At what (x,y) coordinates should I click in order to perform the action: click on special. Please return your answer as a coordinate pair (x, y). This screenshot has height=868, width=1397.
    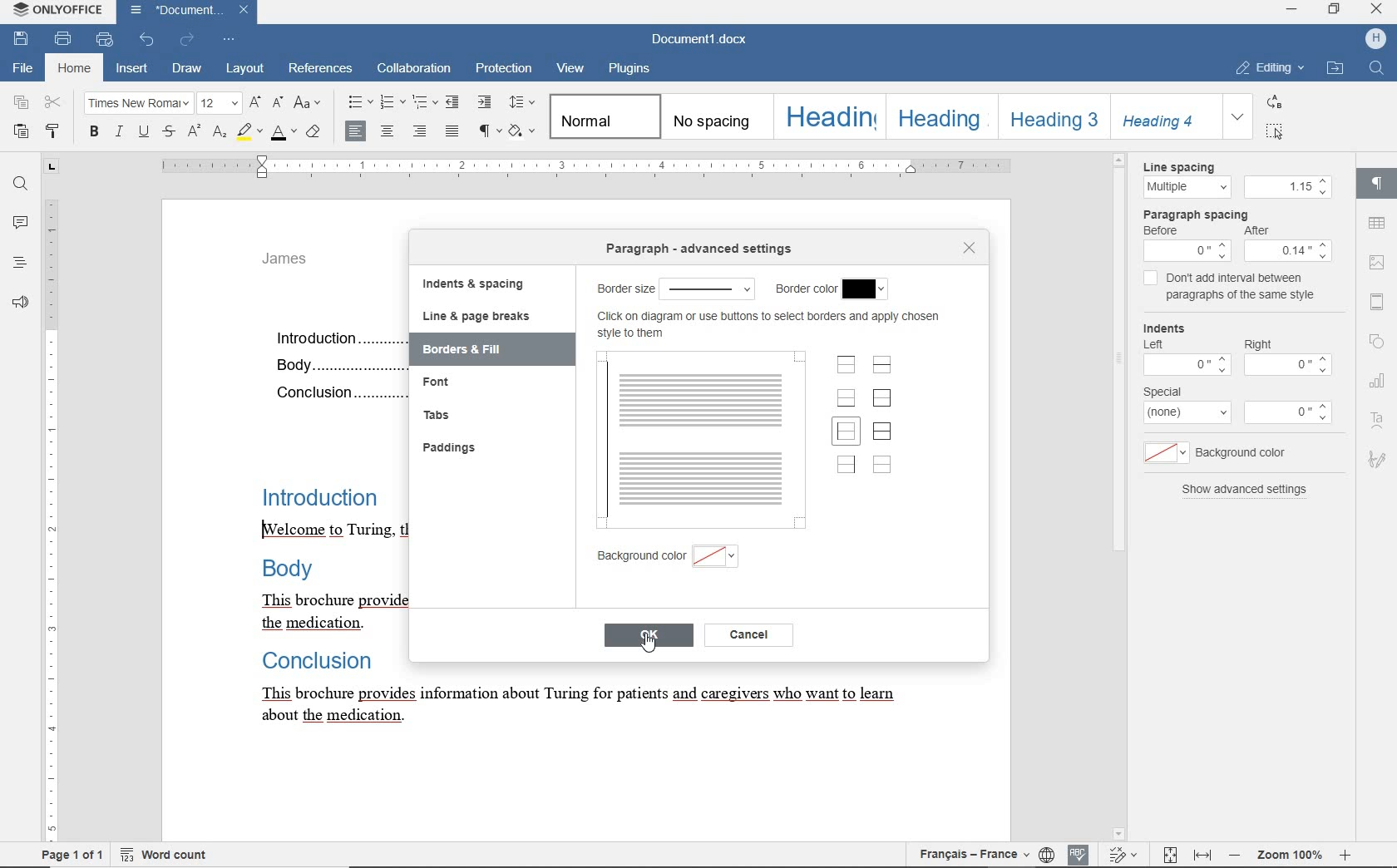
    Looking at the image, I should click on (1163, 391).